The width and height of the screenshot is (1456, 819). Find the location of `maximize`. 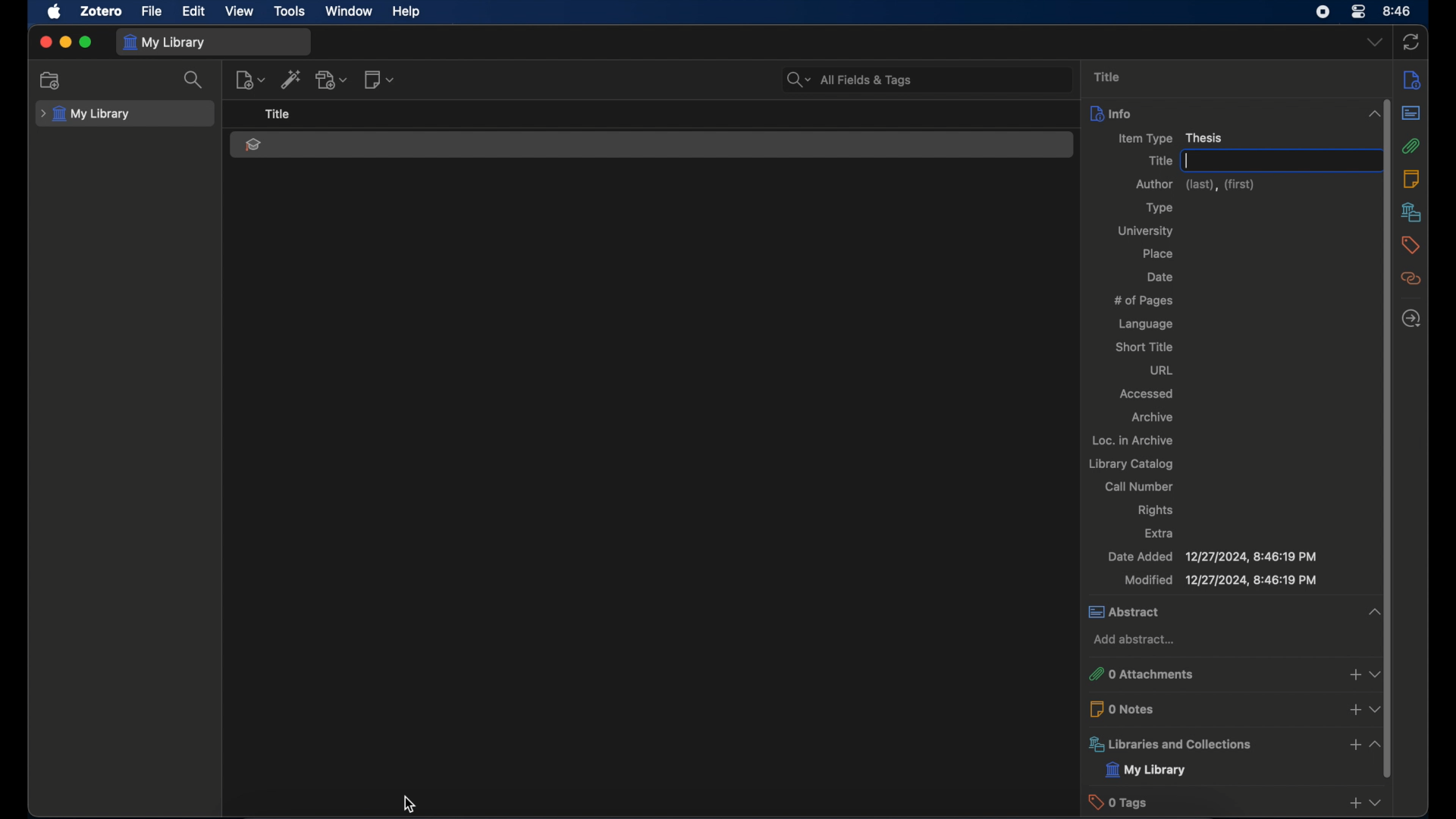

maximize is located at coordinates (86, 43).